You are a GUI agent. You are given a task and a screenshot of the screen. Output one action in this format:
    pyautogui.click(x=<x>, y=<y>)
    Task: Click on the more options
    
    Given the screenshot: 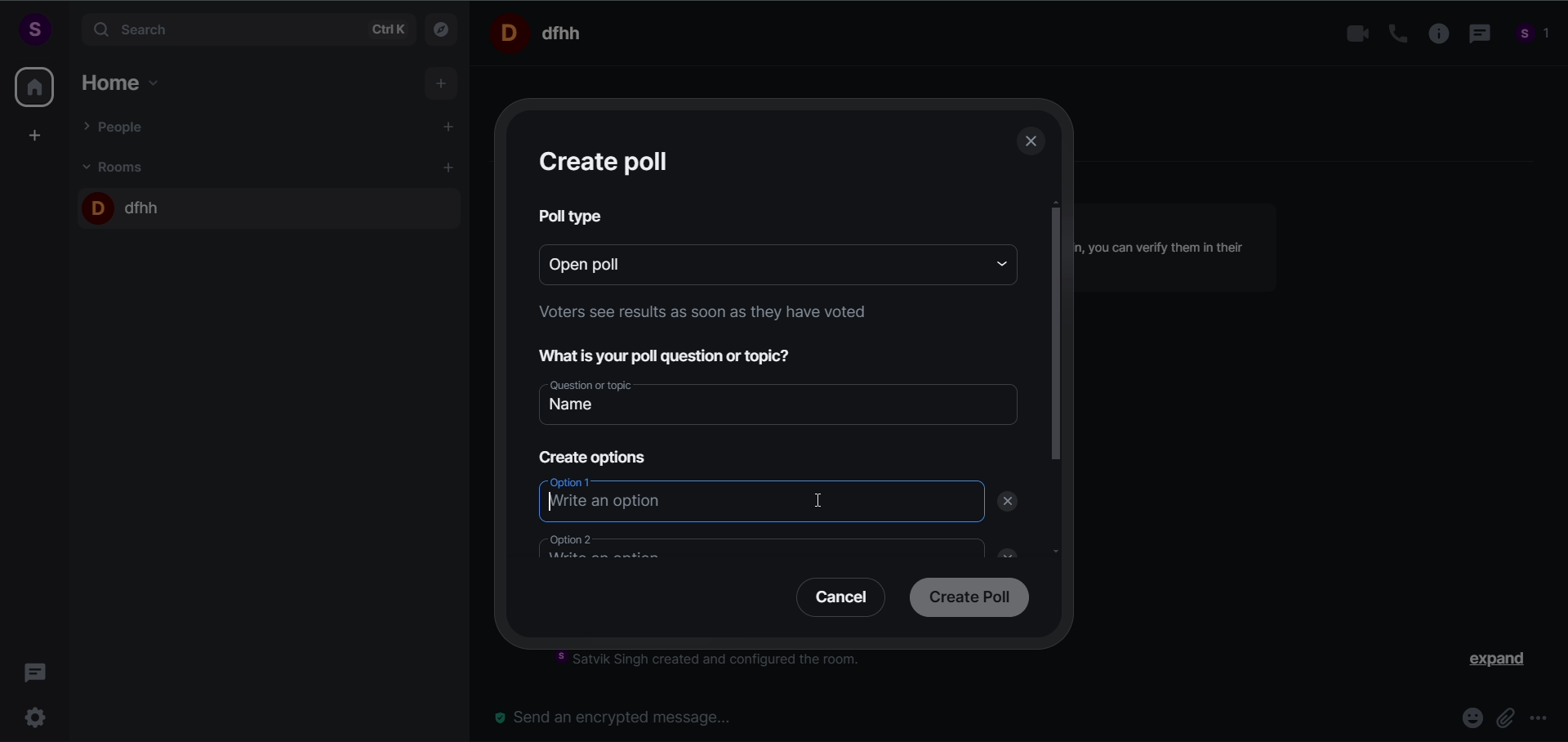 What is the action you would take?
    pyautogui.click(x=1539, y=720)
    